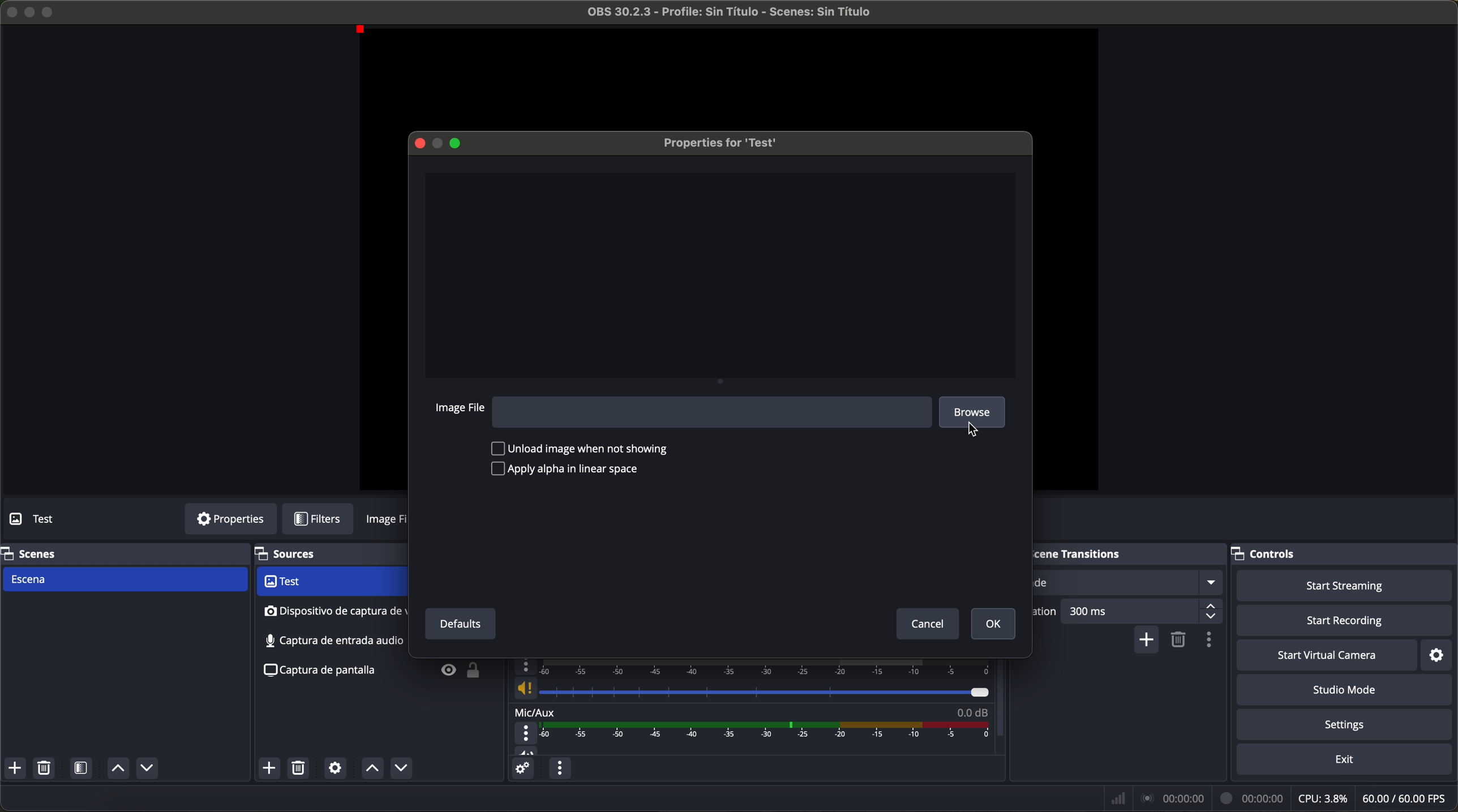 This screenshot has width=1458, height=812. What do you see at coordinates (44, 768) in the screenshot?
I see `remove selected scene` at bounding box center [44, 768].